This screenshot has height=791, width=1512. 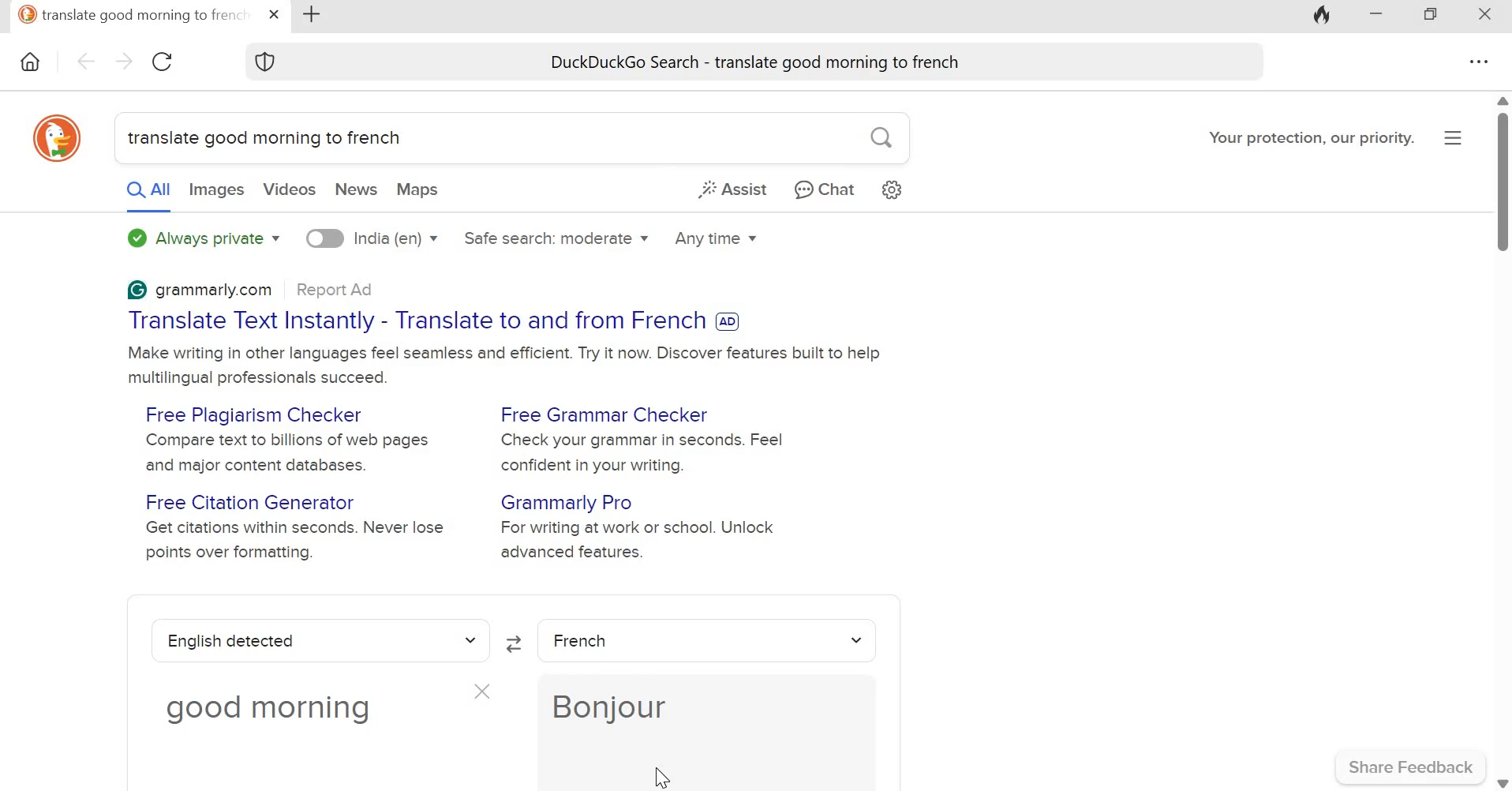 What do you see at coordinates (215, 291) in the screenshot?
I see `grammarly.com` at bounding box center [215, 291].